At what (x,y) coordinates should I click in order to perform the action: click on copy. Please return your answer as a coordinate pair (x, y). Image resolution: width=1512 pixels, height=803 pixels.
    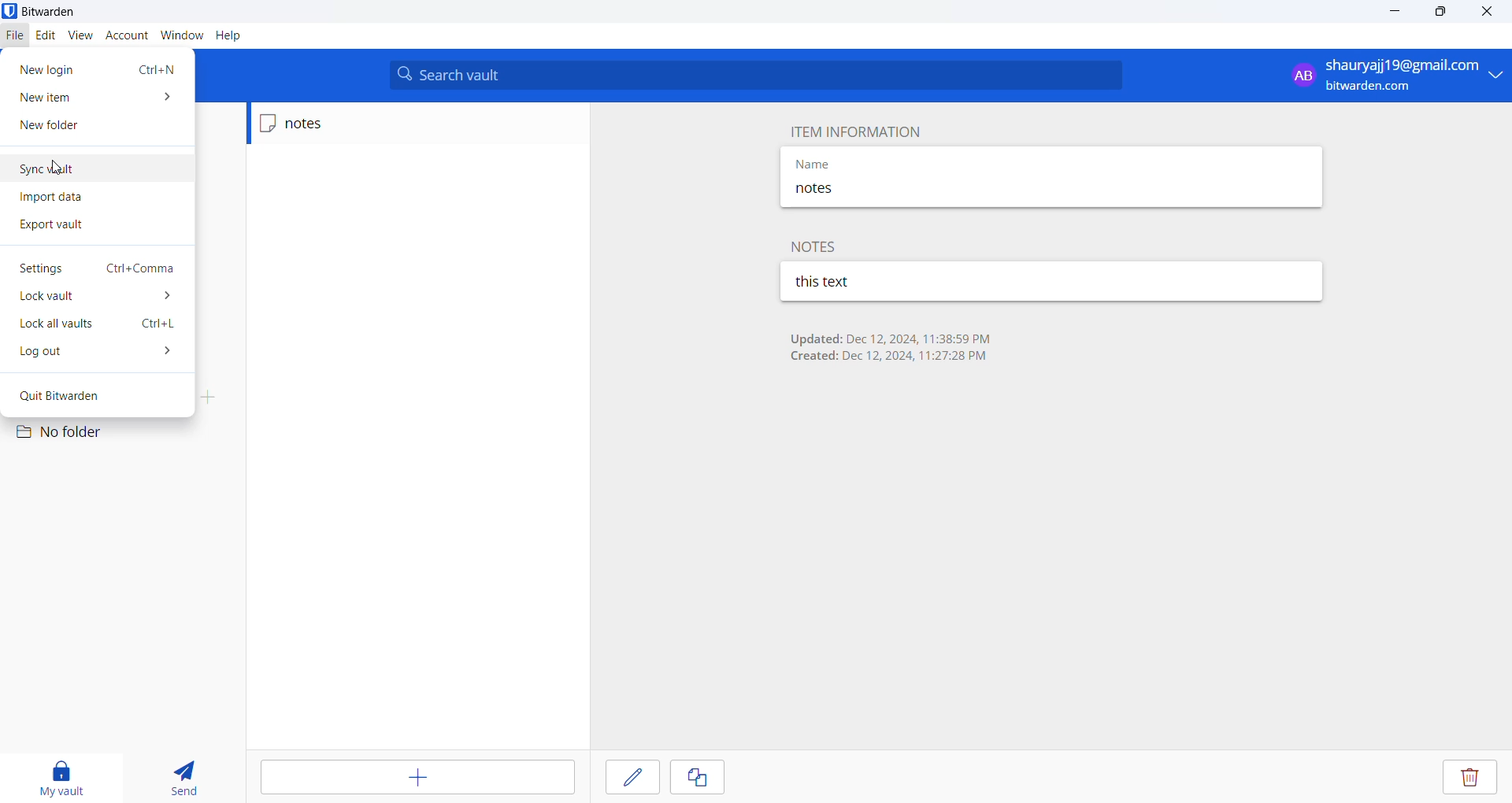
    Looking at the image, I should click on (698, 778).